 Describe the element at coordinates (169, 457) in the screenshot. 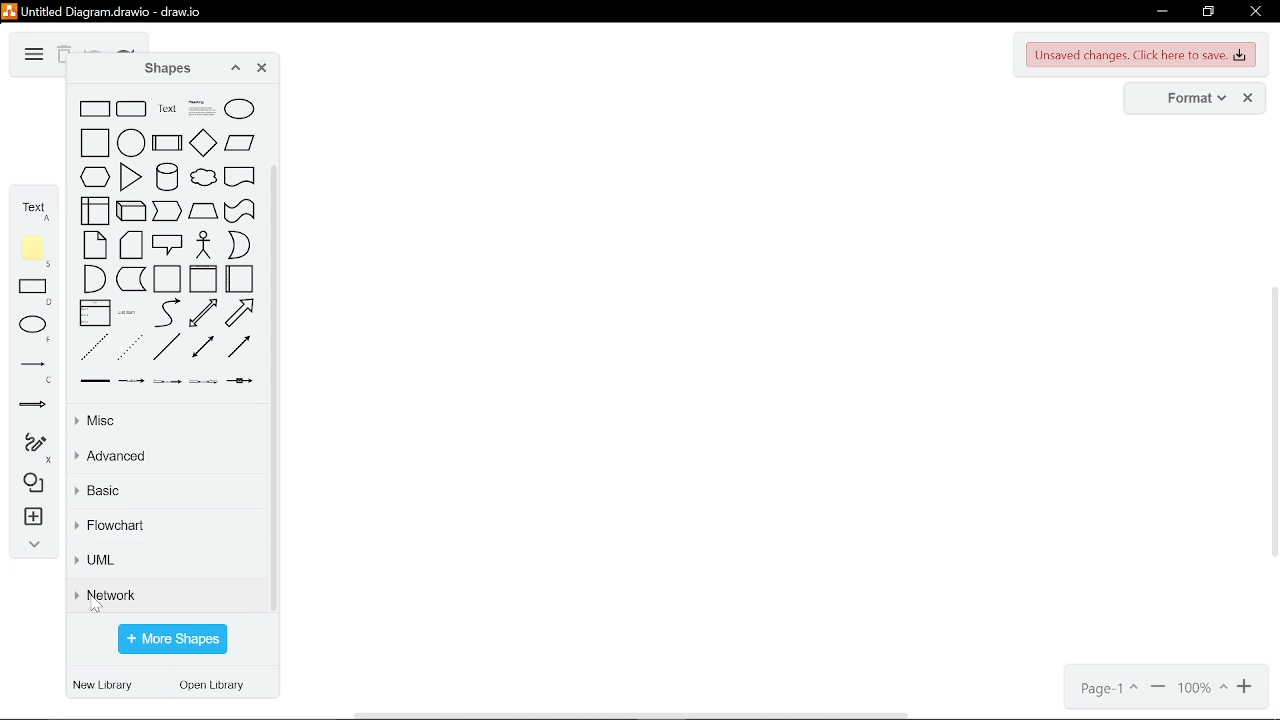

I see `Advanced` at that location.